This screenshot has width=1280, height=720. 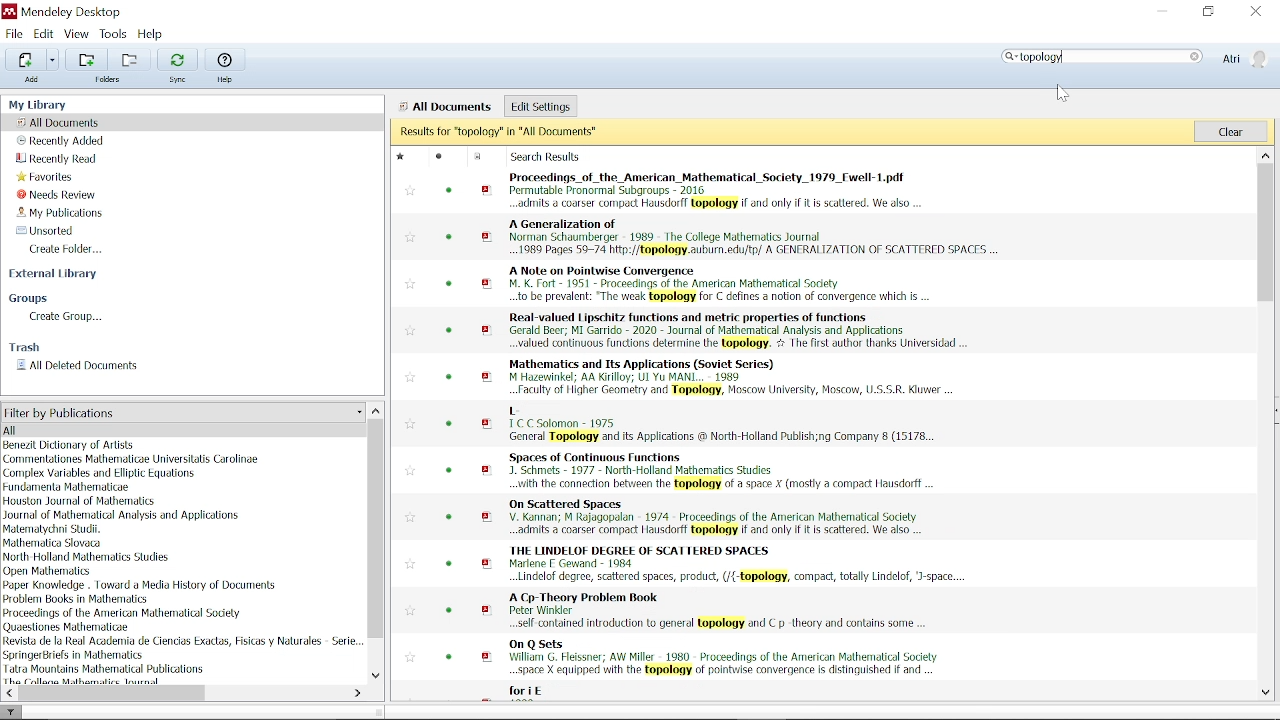 What do you see at coordinates (451, 469) in the screenshot?
I see `read` at bounding box center [451, 469].